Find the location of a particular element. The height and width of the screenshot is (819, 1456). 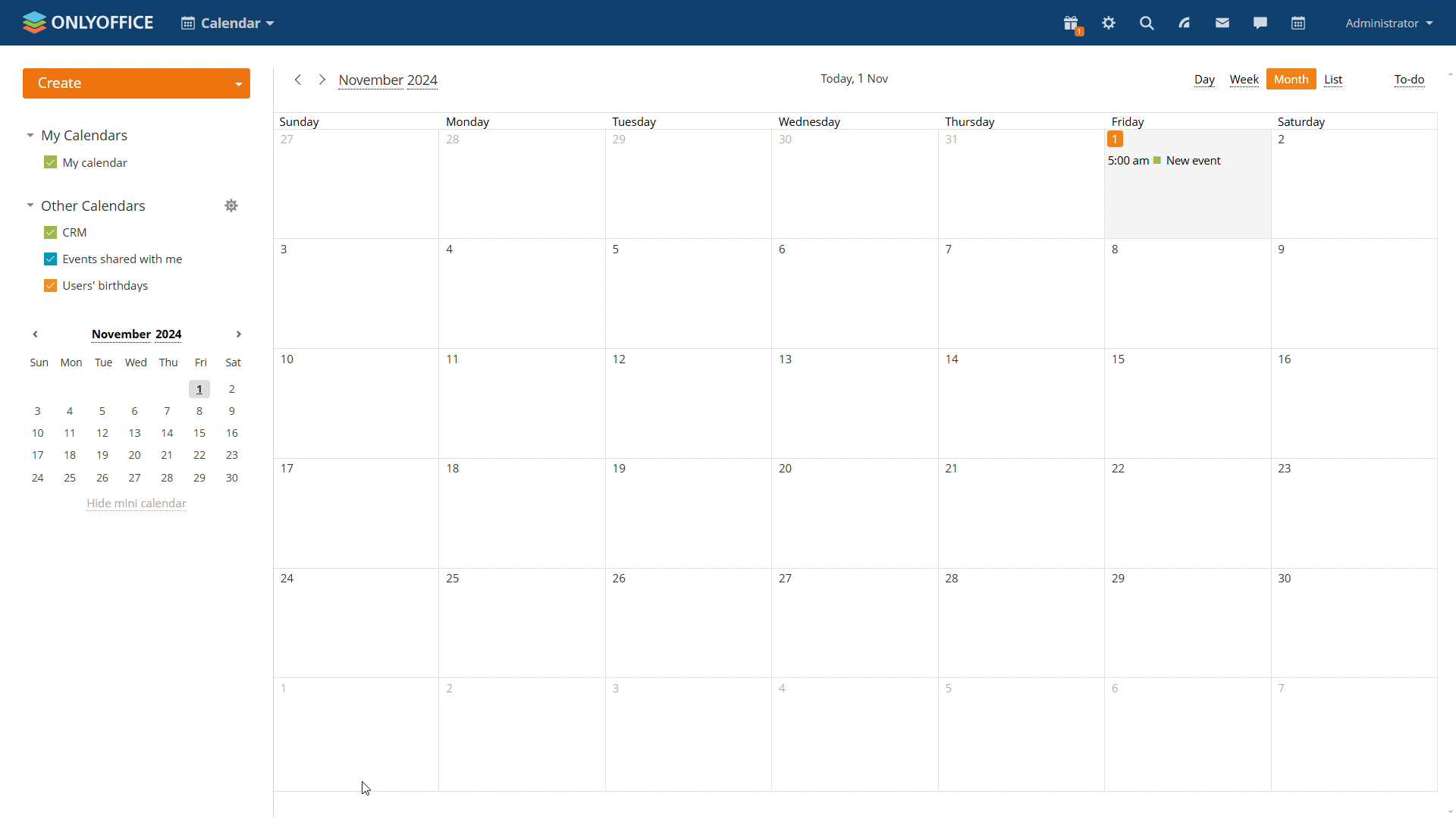

Friday is located at coordinates (1128, 122).